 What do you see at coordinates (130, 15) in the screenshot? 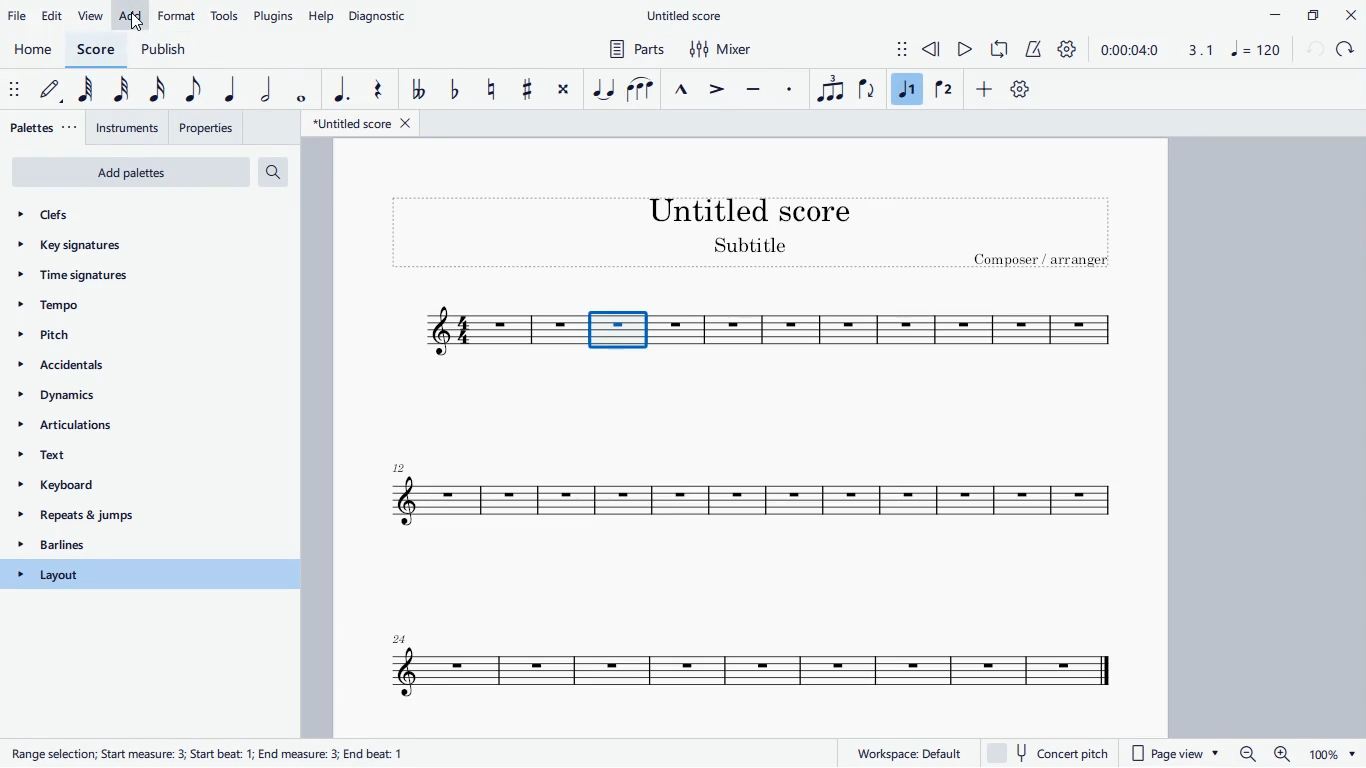
I see `add` at bounding box center [130, 15].